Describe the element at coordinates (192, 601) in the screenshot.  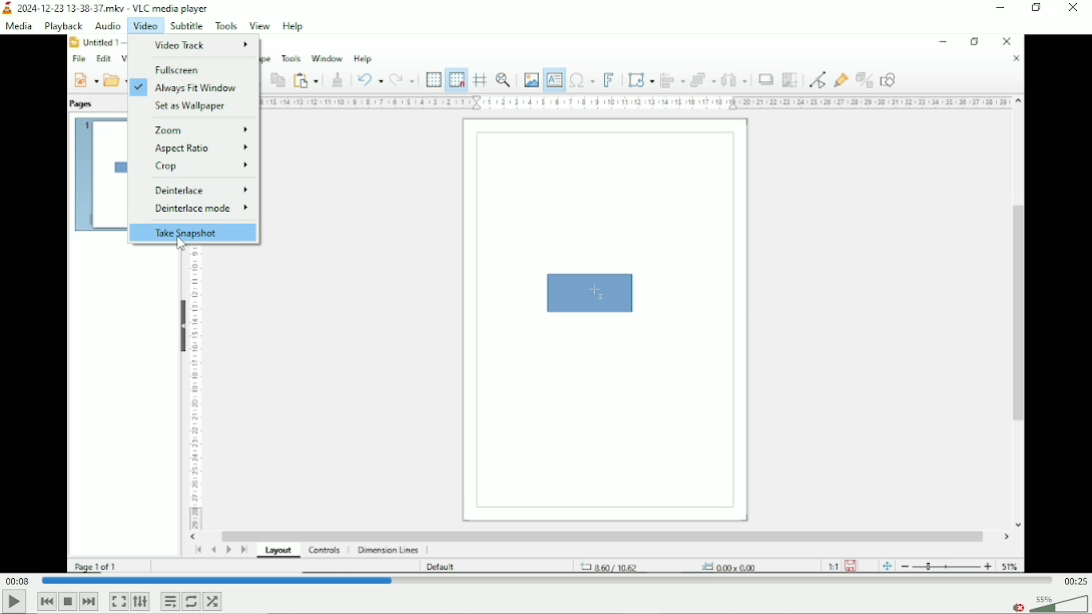
I see `Toggle between loop all, loop one and no loop` at that location.